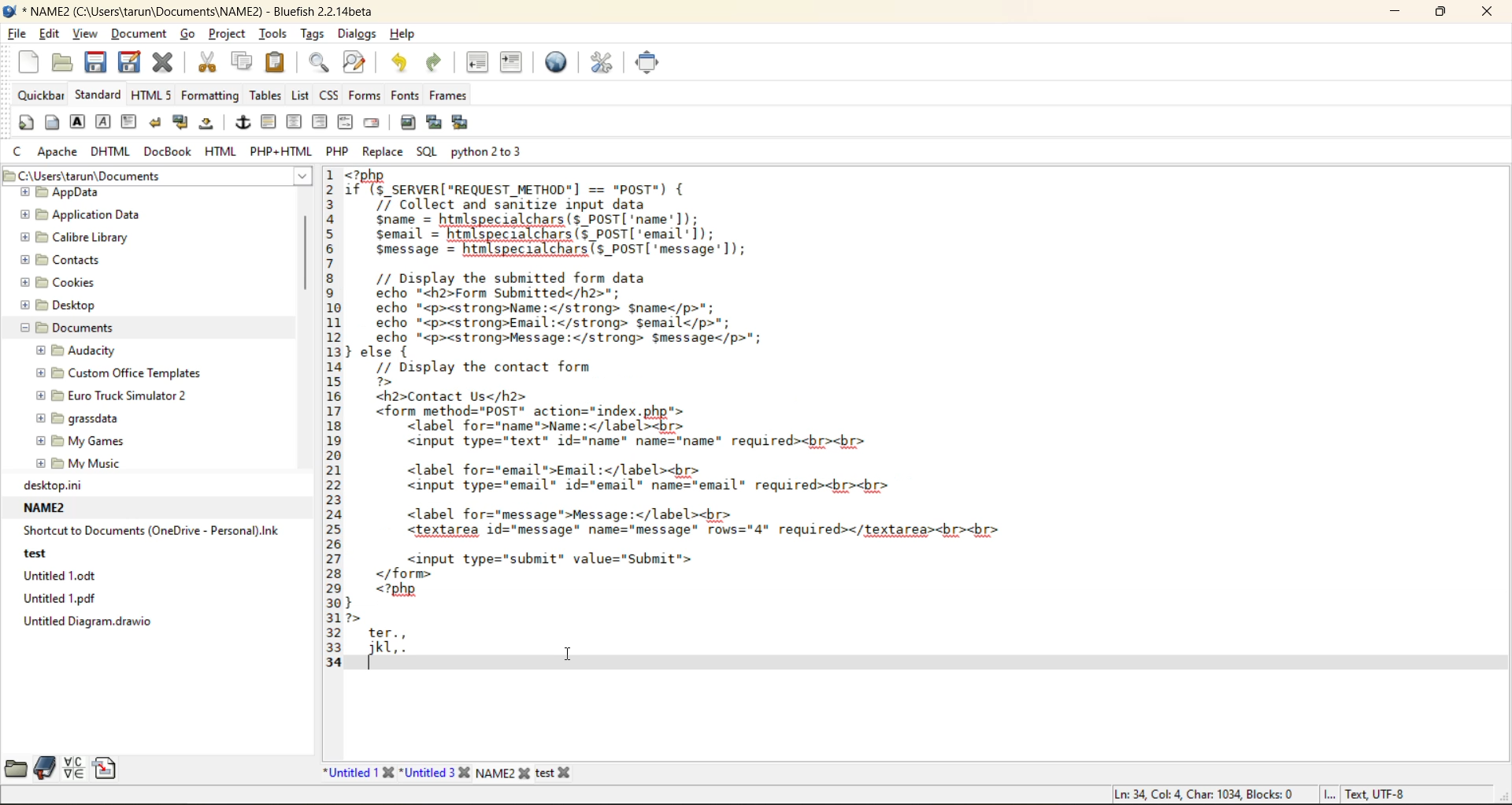 The height and width of the screenshot is (805, 1512). I want to click on cut, so click(210, 64).